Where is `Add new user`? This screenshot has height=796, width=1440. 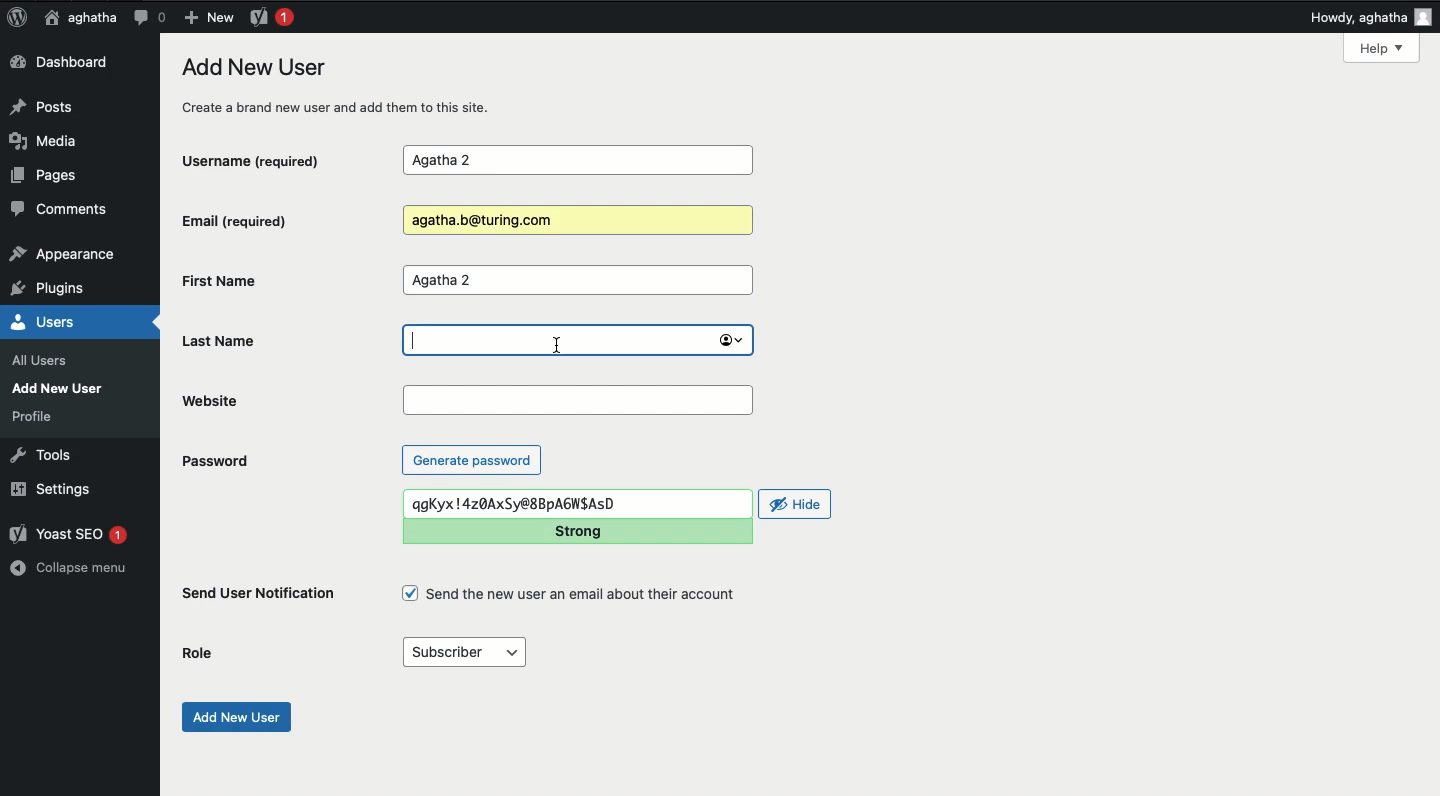 Add new user is located at coordinates (234, 717).